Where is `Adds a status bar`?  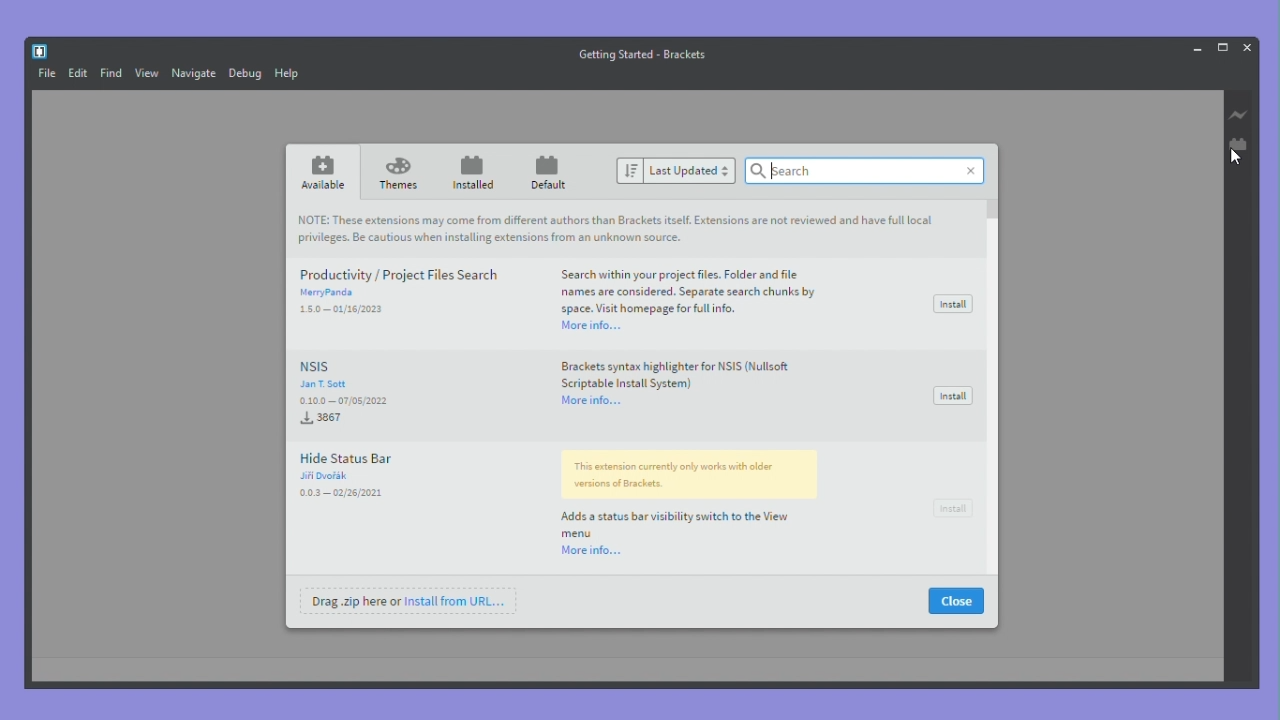
Adds a status bar is located at coordinates (687, 494).